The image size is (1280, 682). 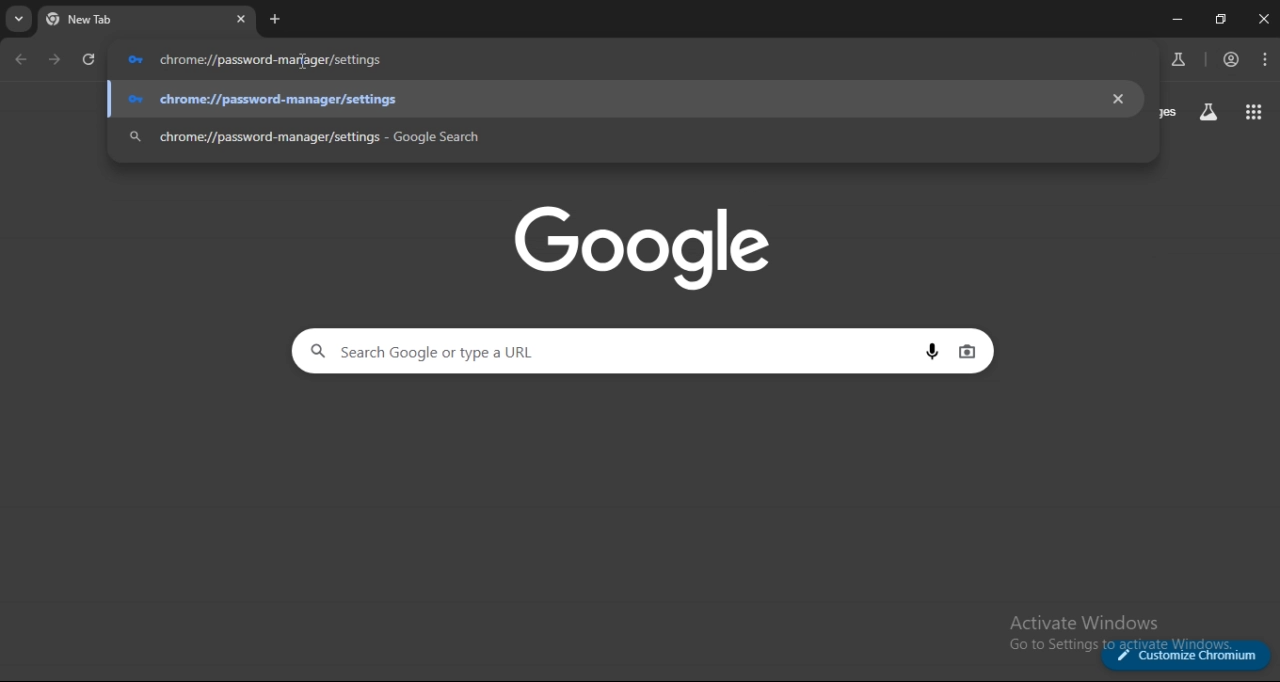 I want to click on chrome://password-manager/settings, so click(x=609, y=99).